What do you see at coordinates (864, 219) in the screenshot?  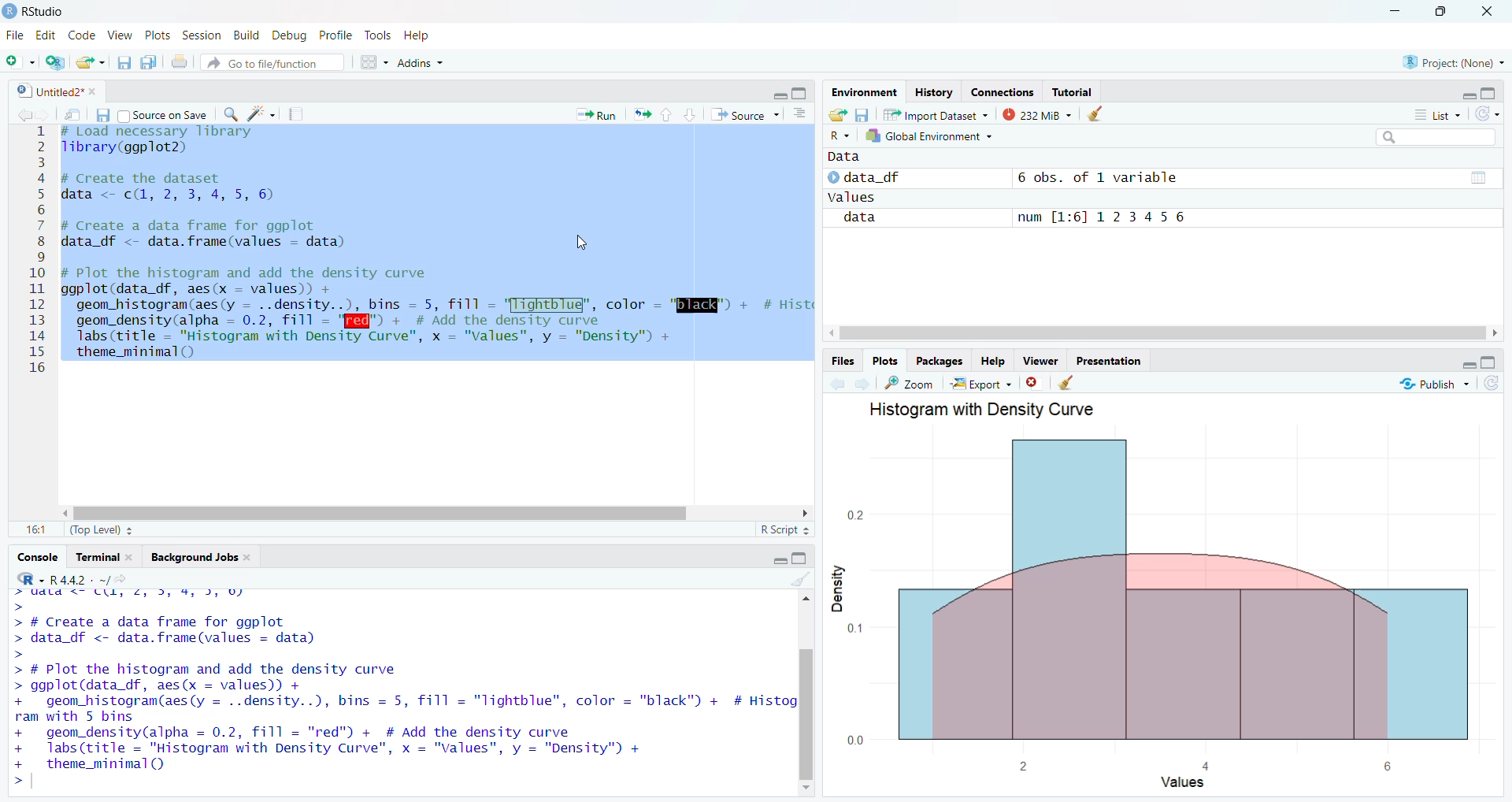 I see `data` at bounding box center [864, 219].